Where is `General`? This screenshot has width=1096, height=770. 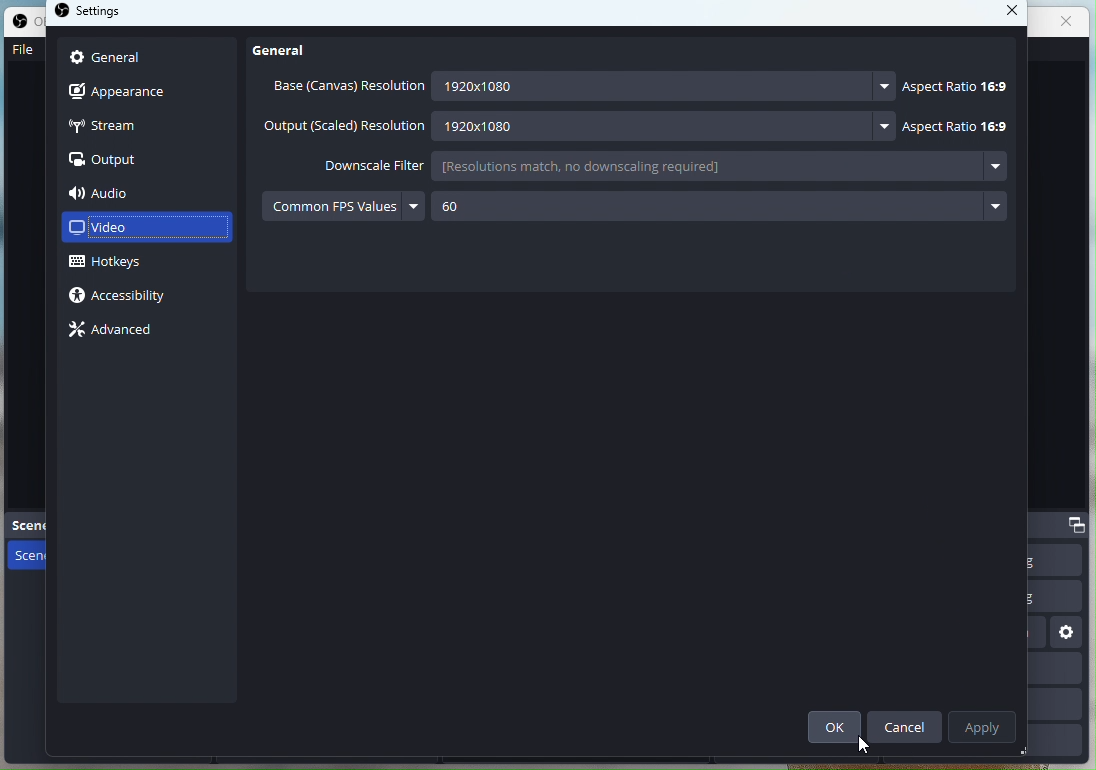 General is located at coordinates (145, 59).